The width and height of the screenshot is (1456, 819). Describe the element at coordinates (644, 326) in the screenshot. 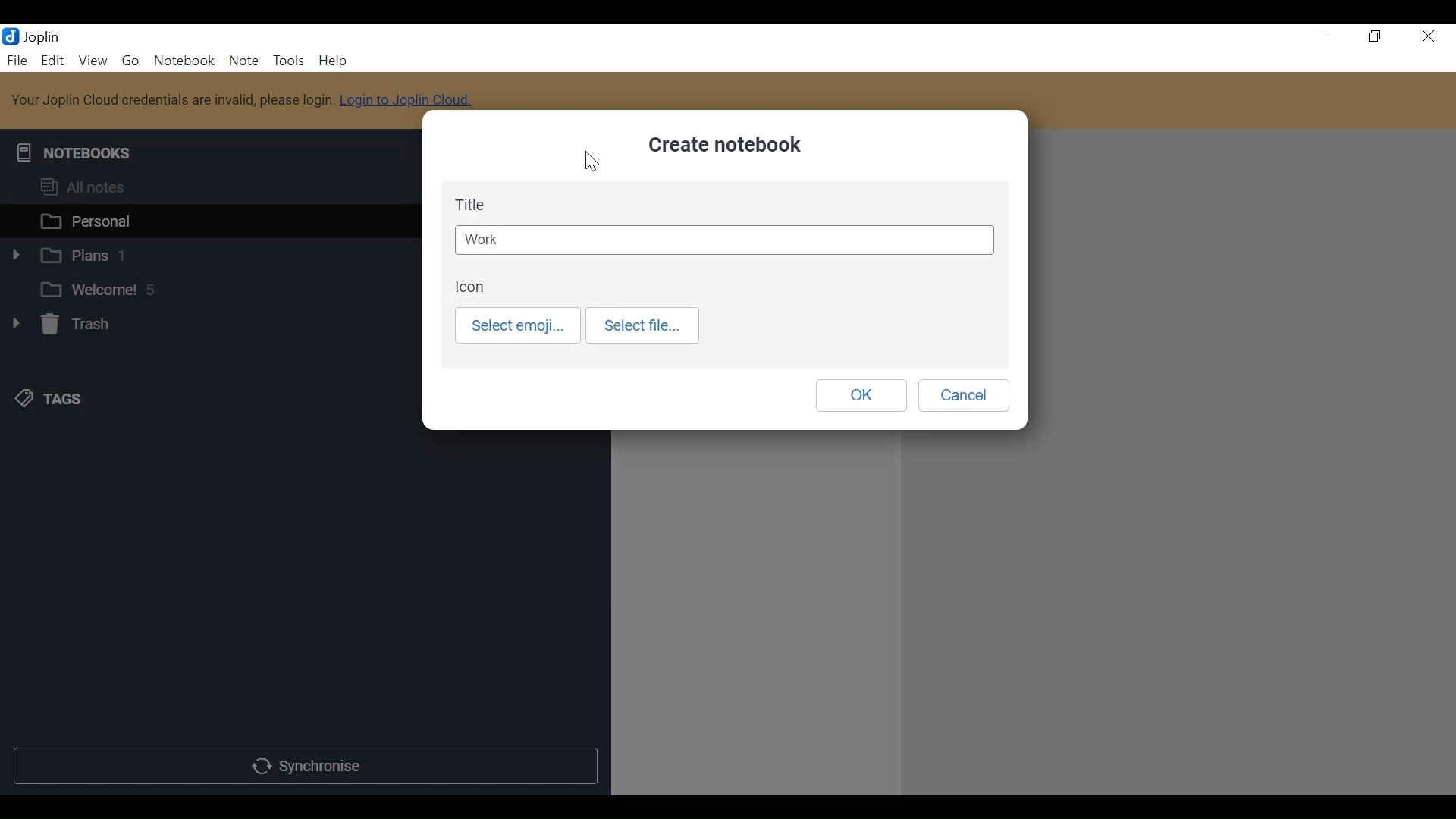

I see `Select File` at that location.